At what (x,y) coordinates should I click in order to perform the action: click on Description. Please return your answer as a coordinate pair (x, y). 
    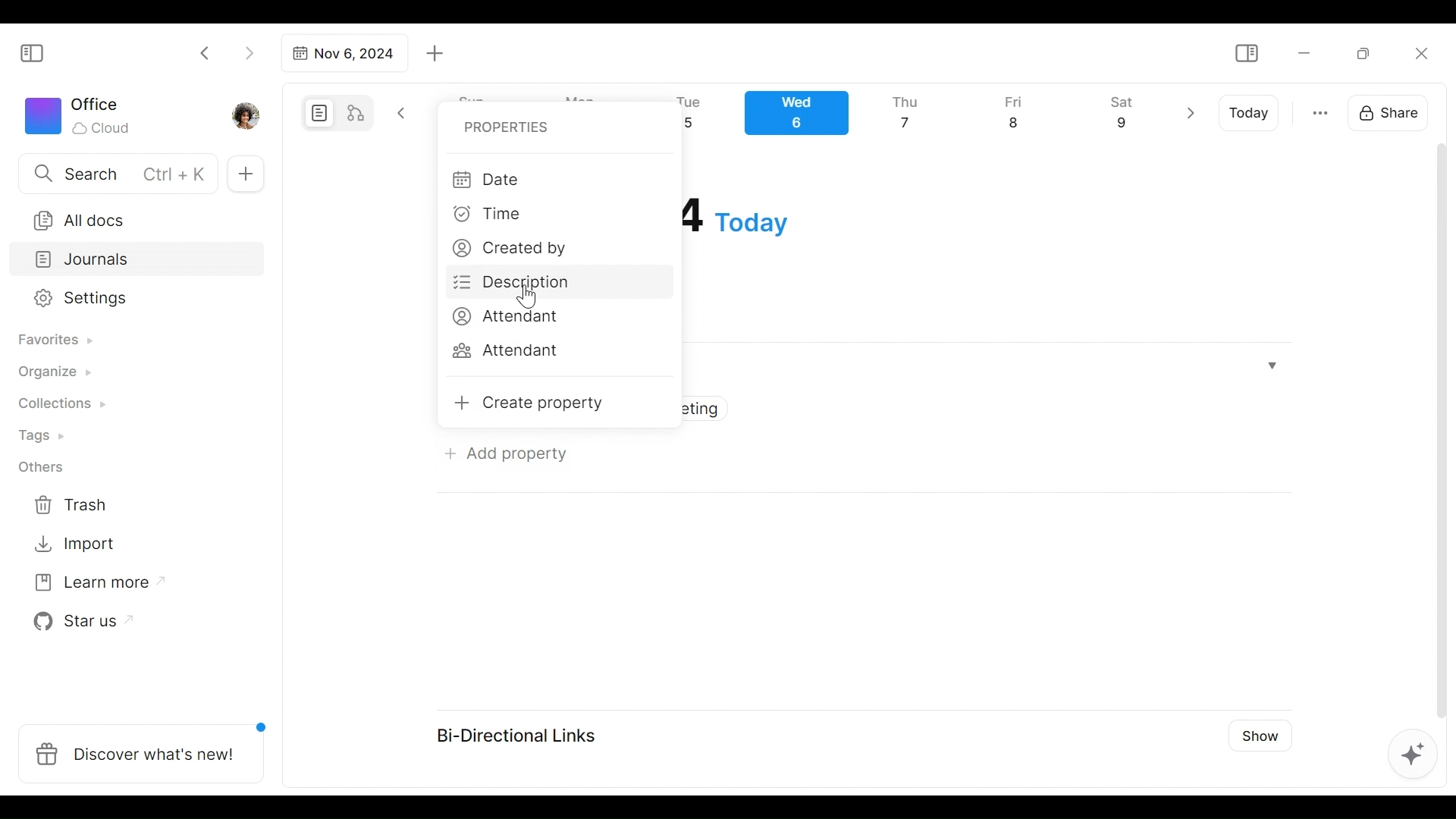
    Looking at the image, I should click on (515, 282).